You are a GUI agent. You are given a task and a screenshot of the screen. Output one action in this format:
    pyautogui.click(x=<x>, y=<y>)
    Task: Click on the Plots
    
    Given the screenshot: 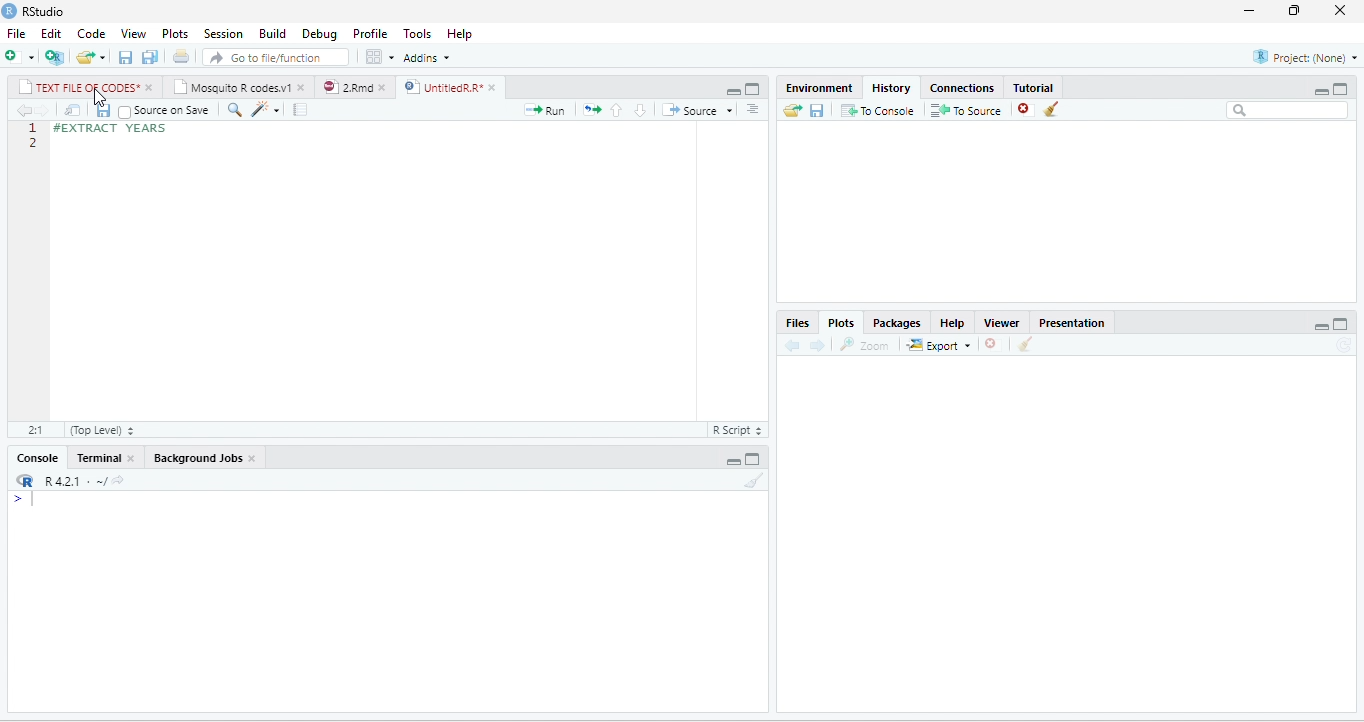 What is the action you would take?
    pyautogui.click(x=175, y=34)
    